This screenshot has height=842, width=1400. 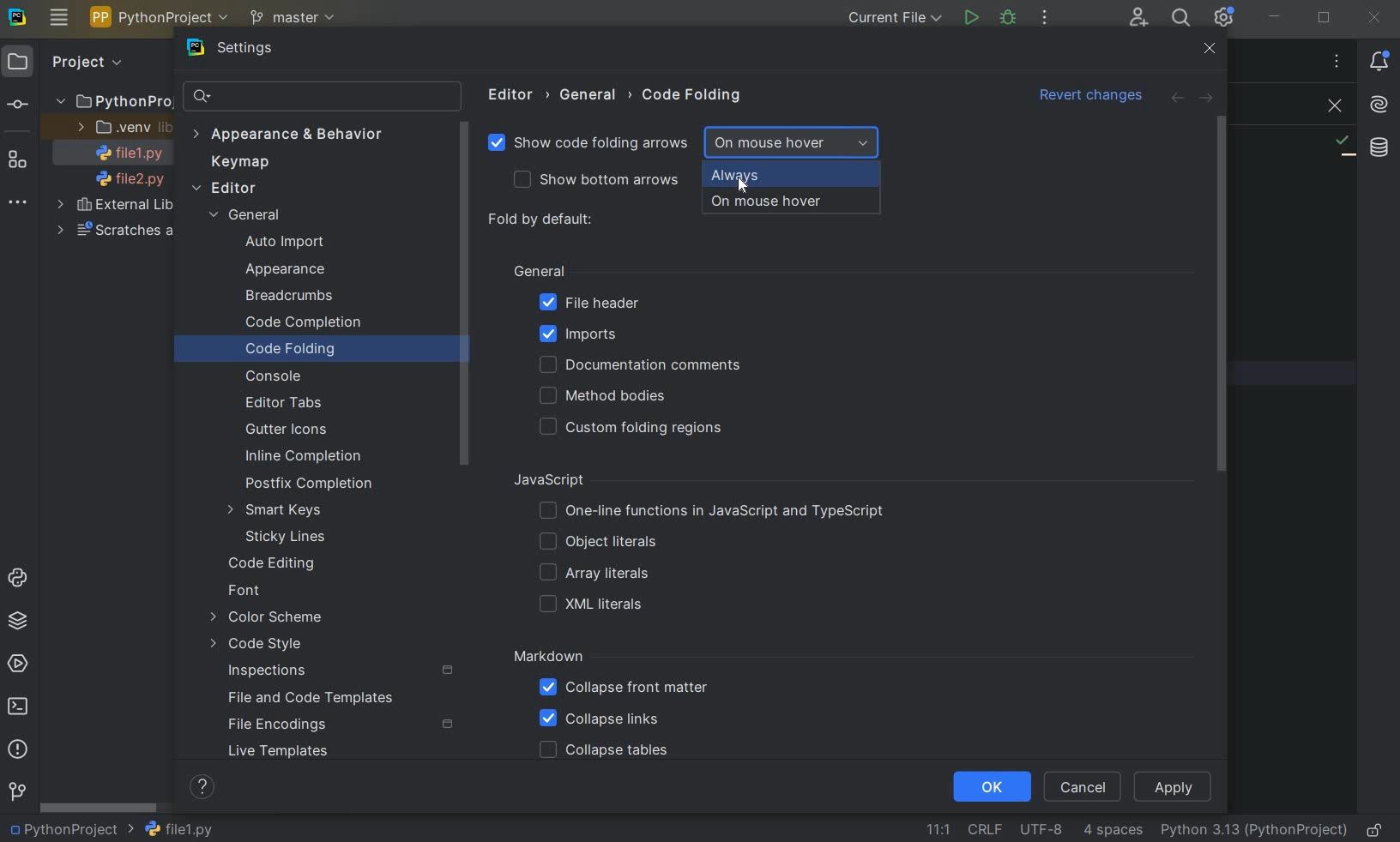 I want to click on CODE STYLE, so click(x=284, y=644).